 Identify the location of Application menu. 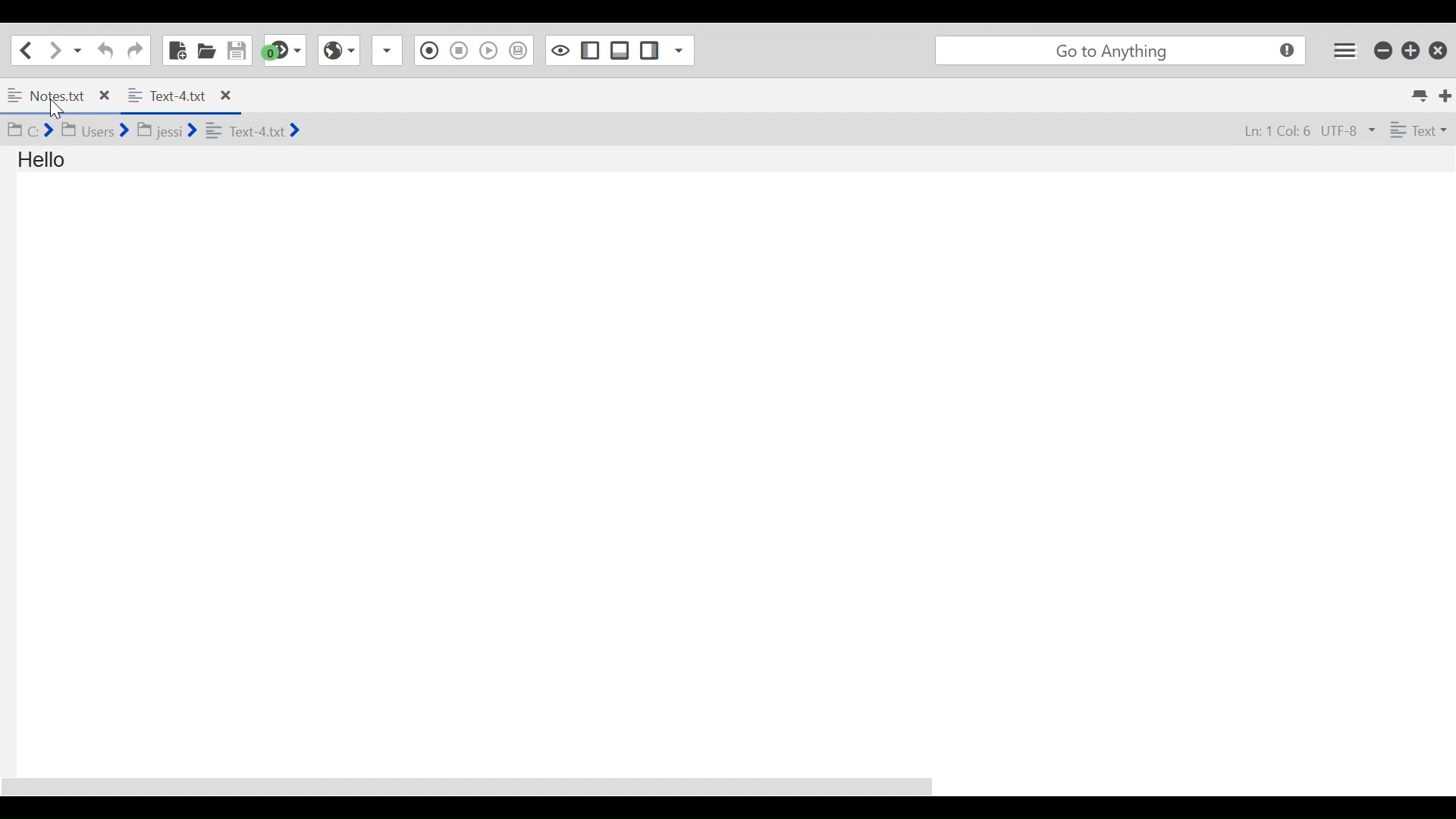
(1346, 50).